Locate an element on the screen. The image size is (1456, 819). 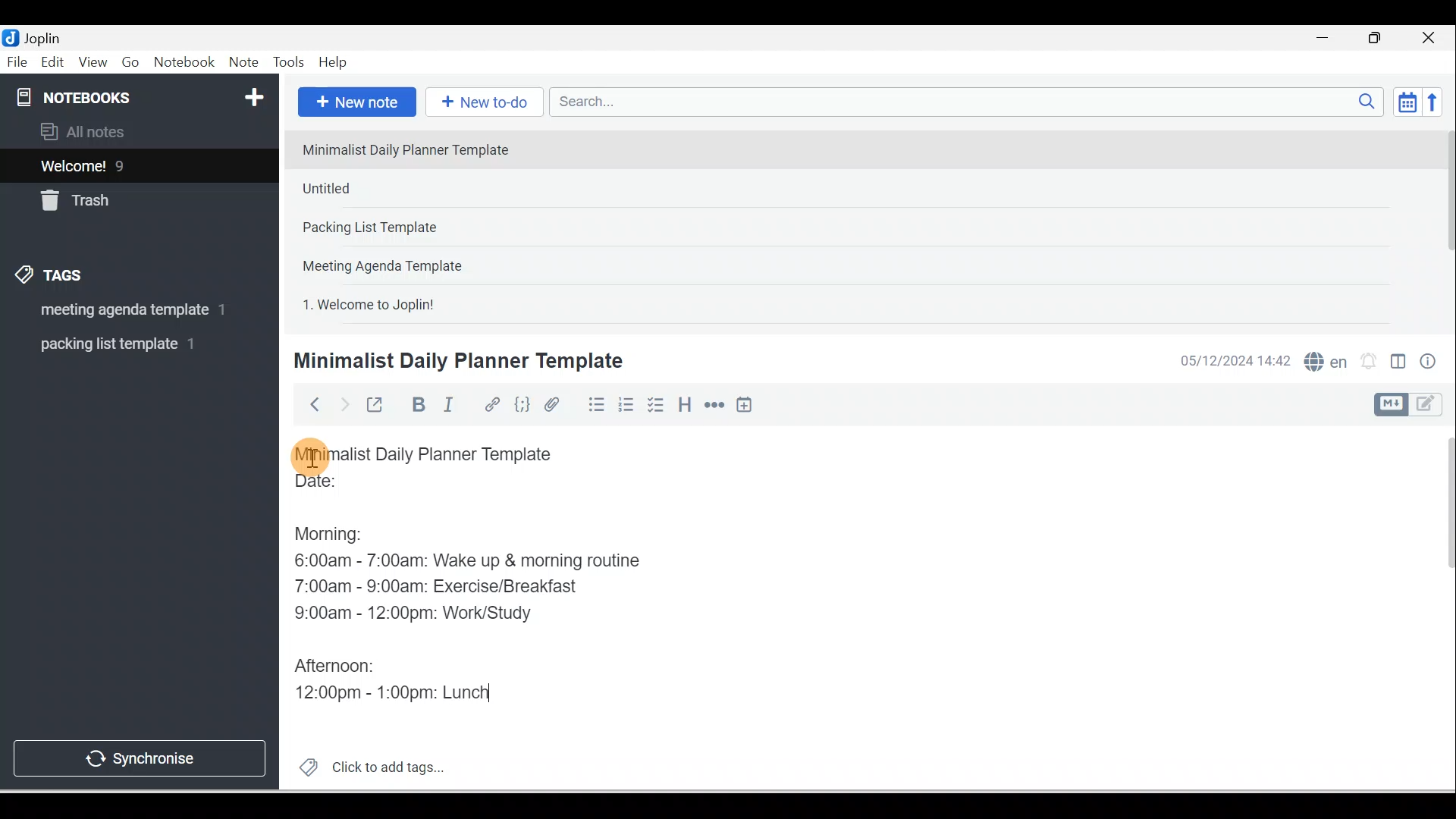
Maximise is located at coordinates (1380, 39).